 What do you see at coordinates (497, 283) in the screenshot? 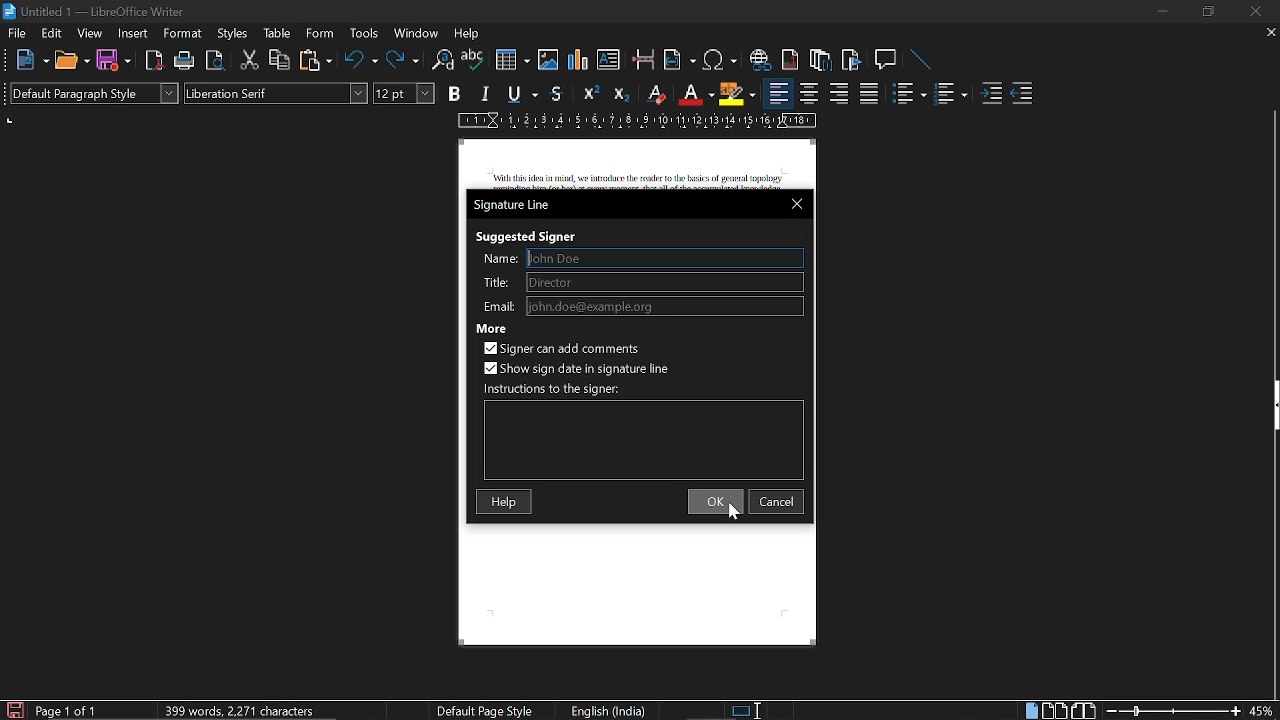
I see `title` at bounding box center [497, 283].